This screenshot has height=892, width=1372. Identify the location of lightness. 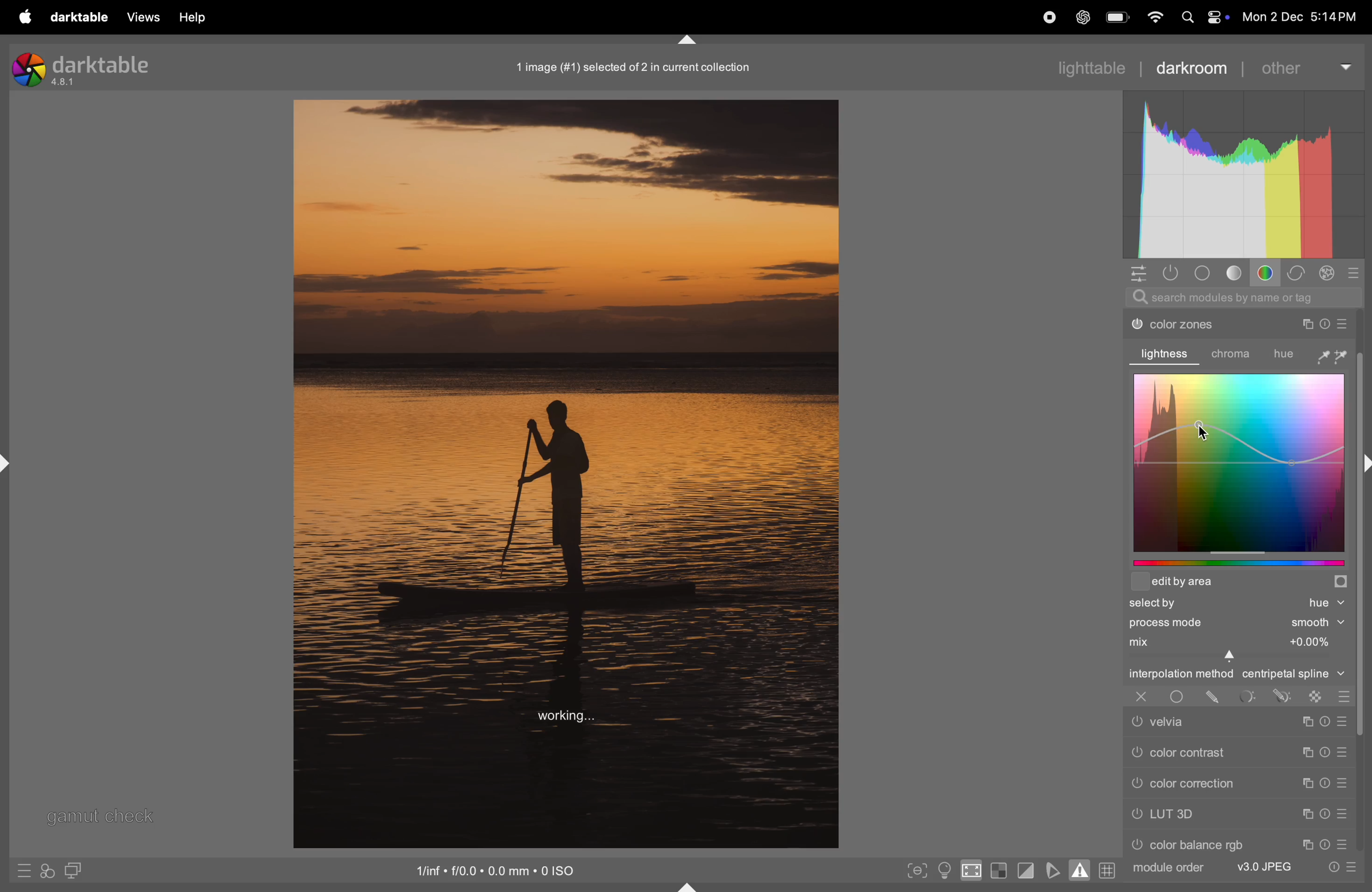
(1167, 353).